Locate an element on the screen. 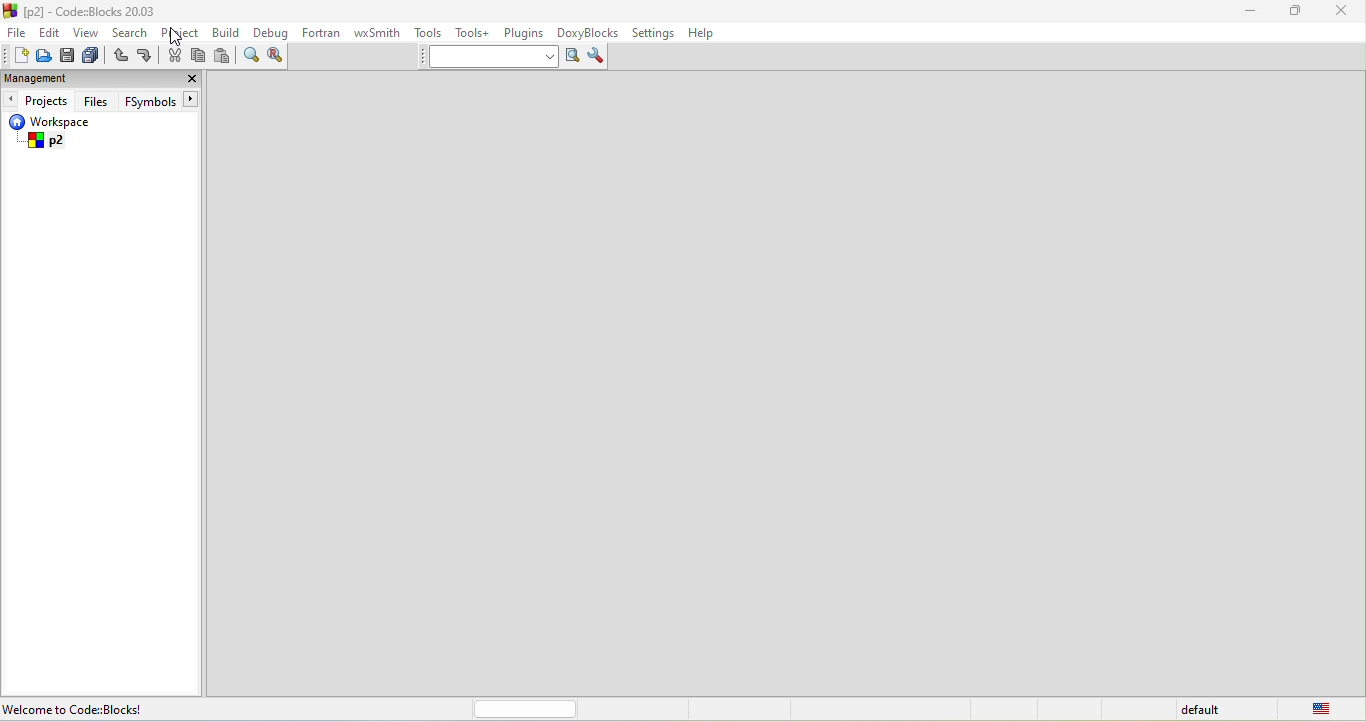 The height and width of the screenshot is (722, 1366). view is located at coordinates (86, 33).